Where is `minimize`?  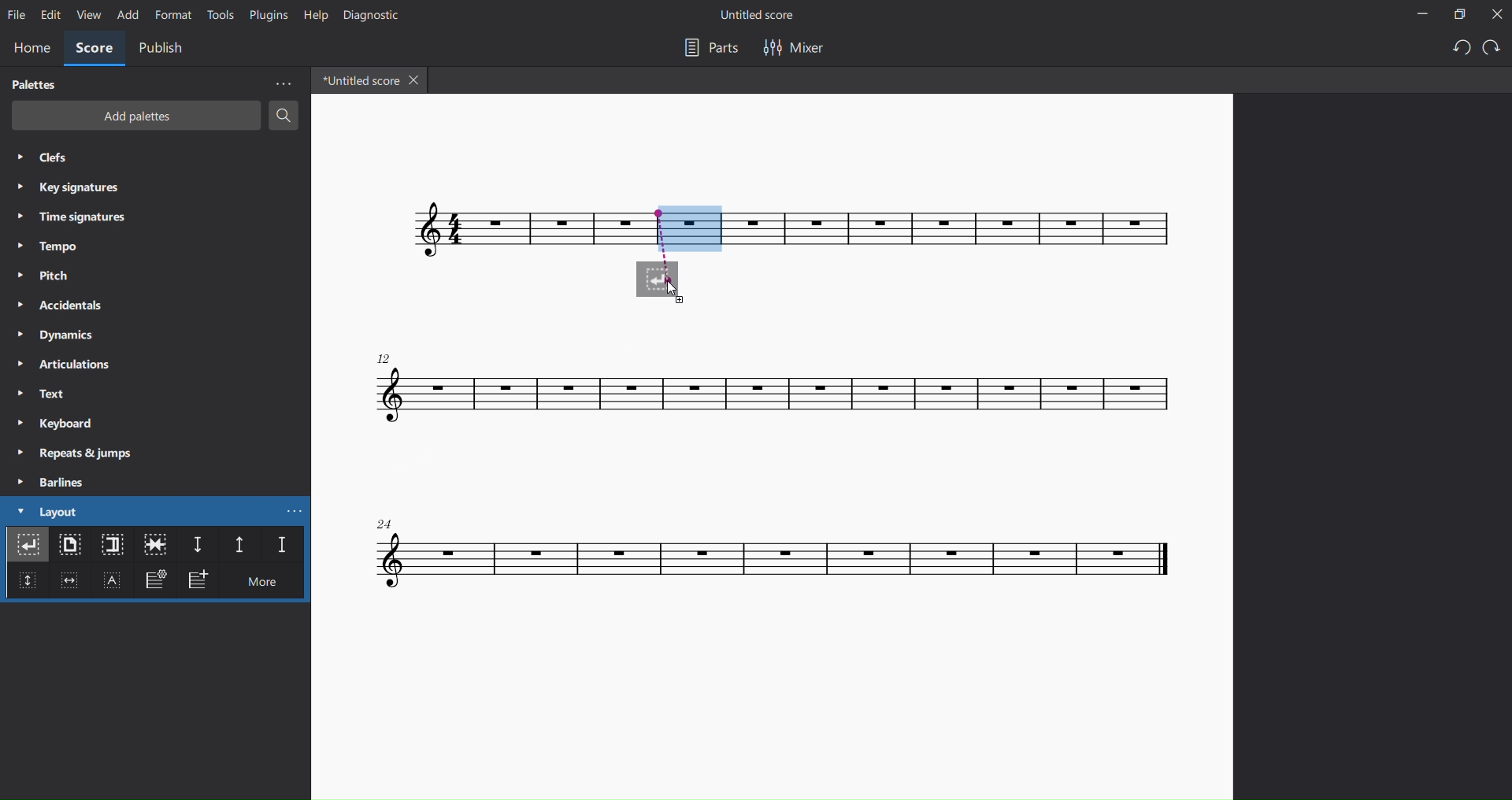 minimize is located at coordinates (1414, 15).